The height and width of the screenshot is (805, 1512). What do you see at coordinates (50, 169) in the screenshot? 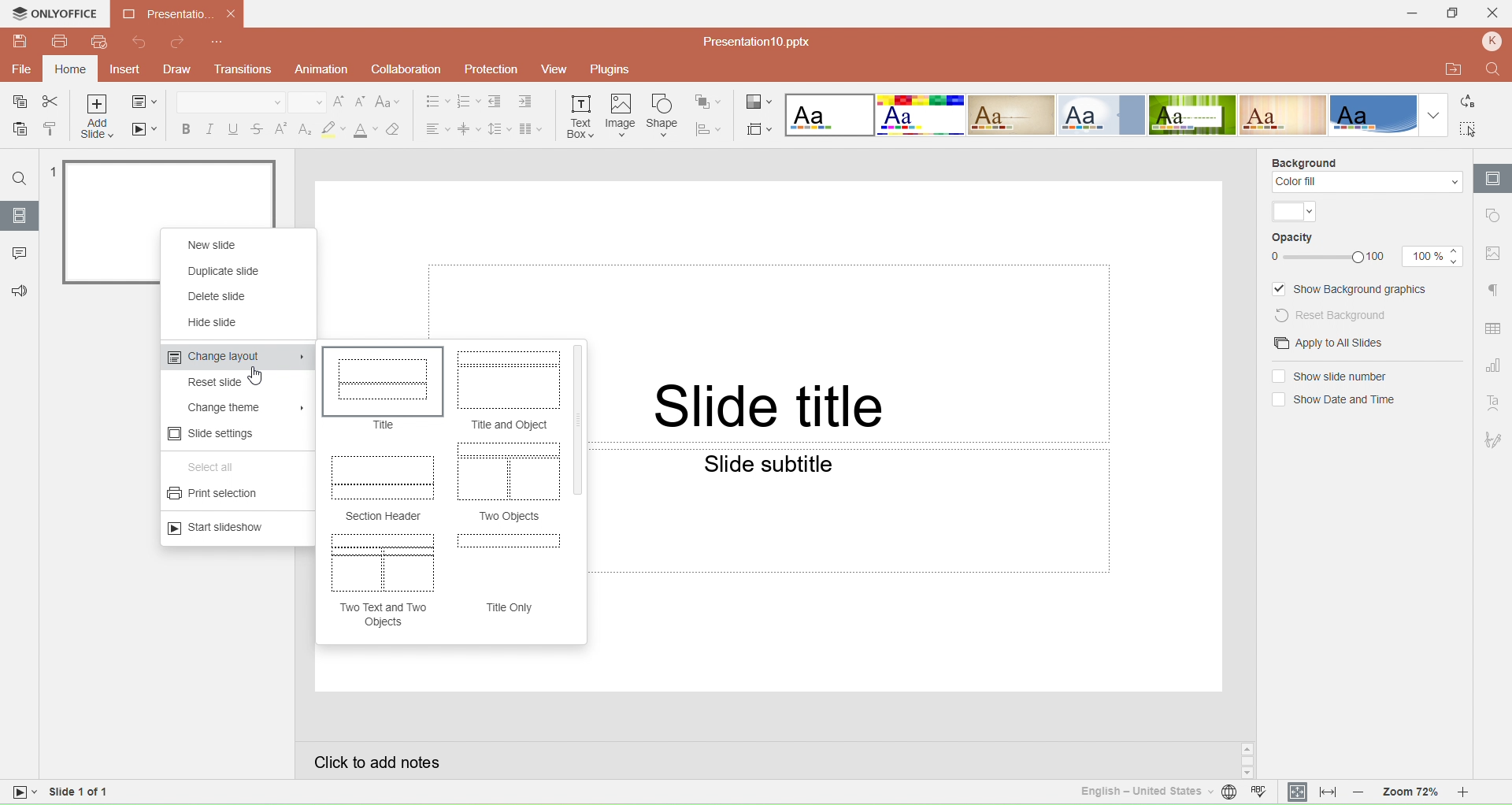
I see `1` at bounding box center [50, 169].